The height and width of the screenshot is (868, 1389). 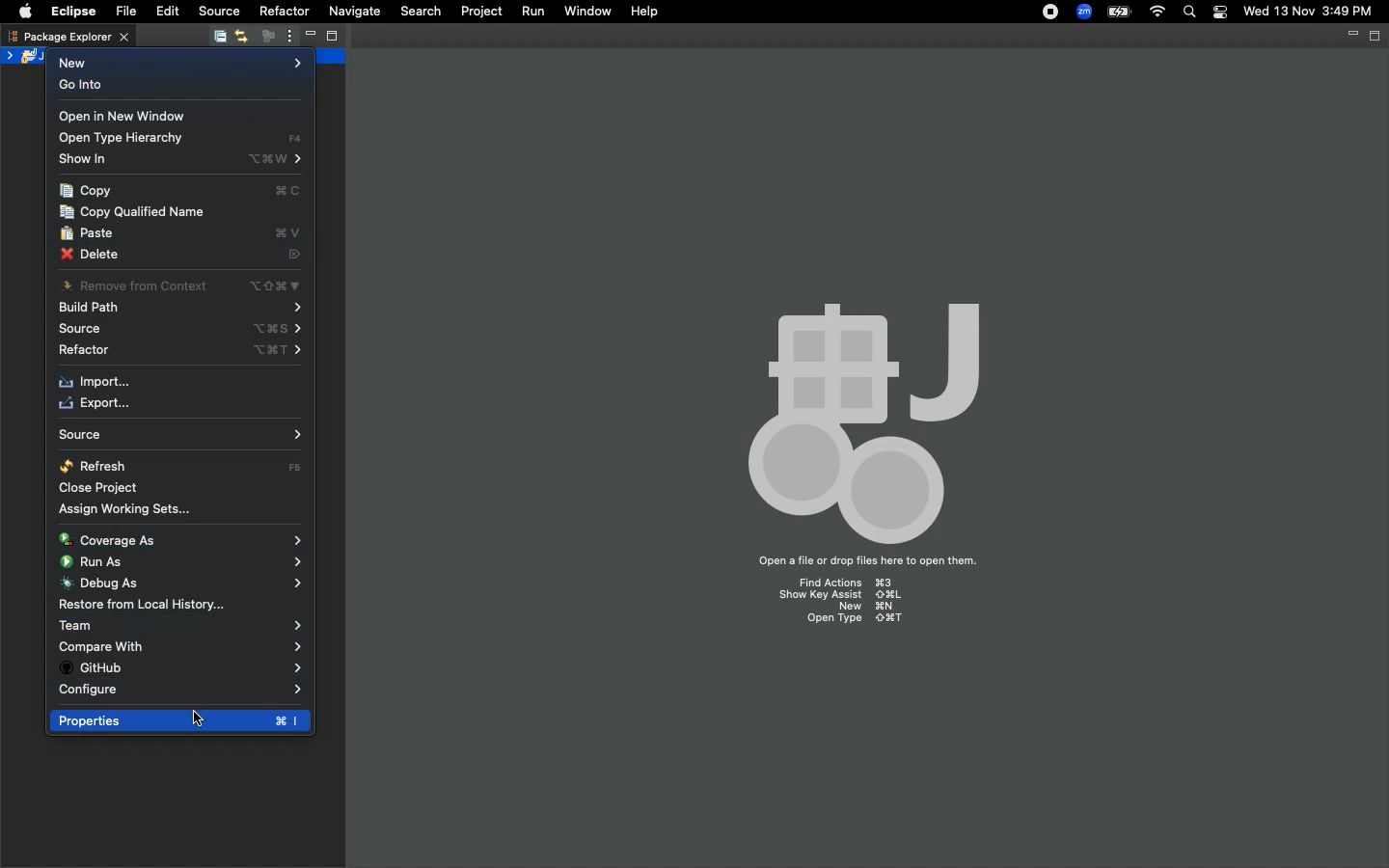 What do you see at coordinates (482, 13) in the screenshot?
I see `Project` at bounding box center [482, 13].